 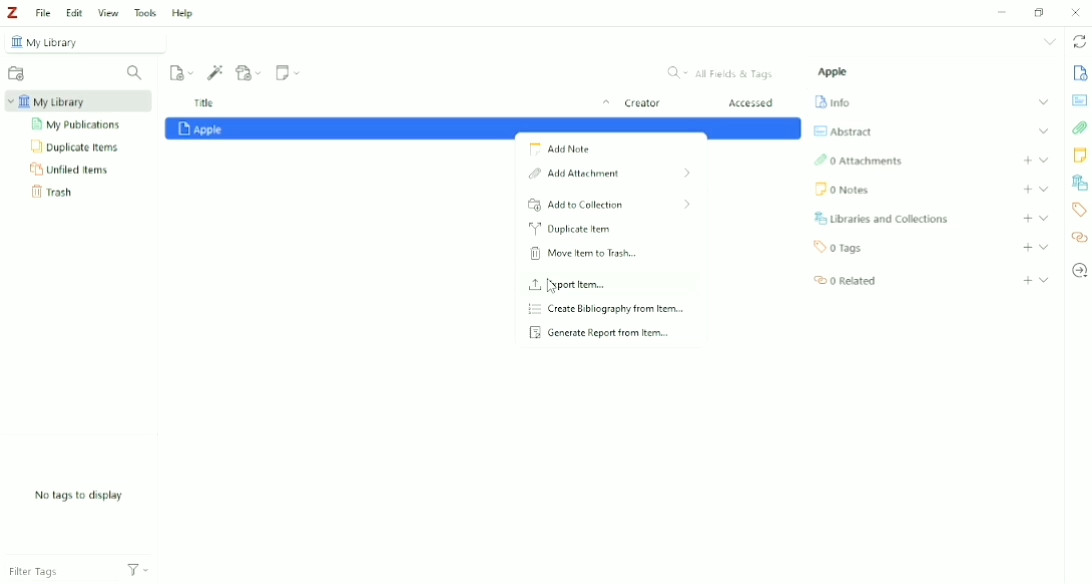 What do you see at coordinates (136, 73) in the screenshot?
I see `Filter Collections` at bounding box center [136, 73].